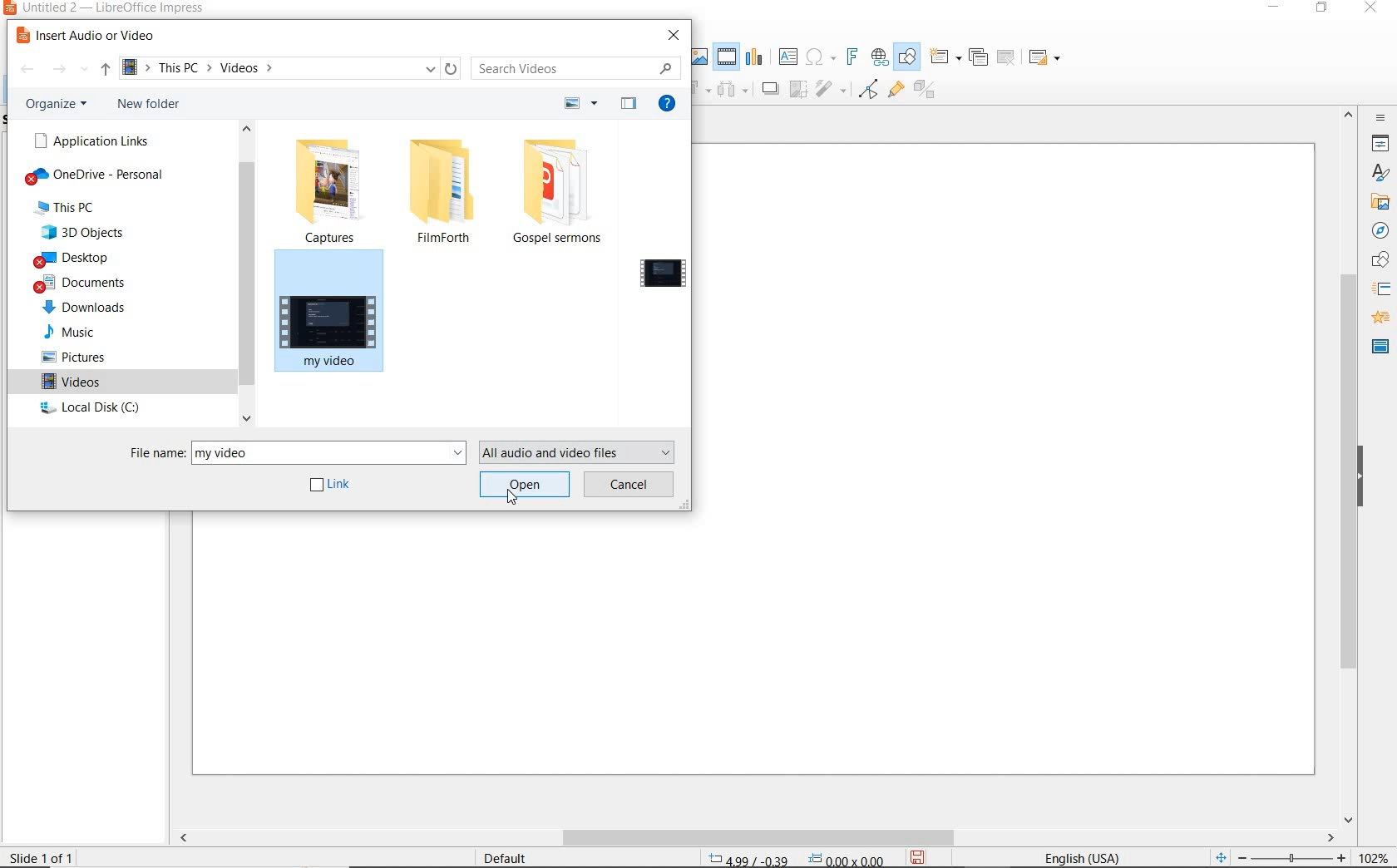 Image resolution: width=1397 pixels, height=868 pixels. I want to click on videos, so click(77, 384).